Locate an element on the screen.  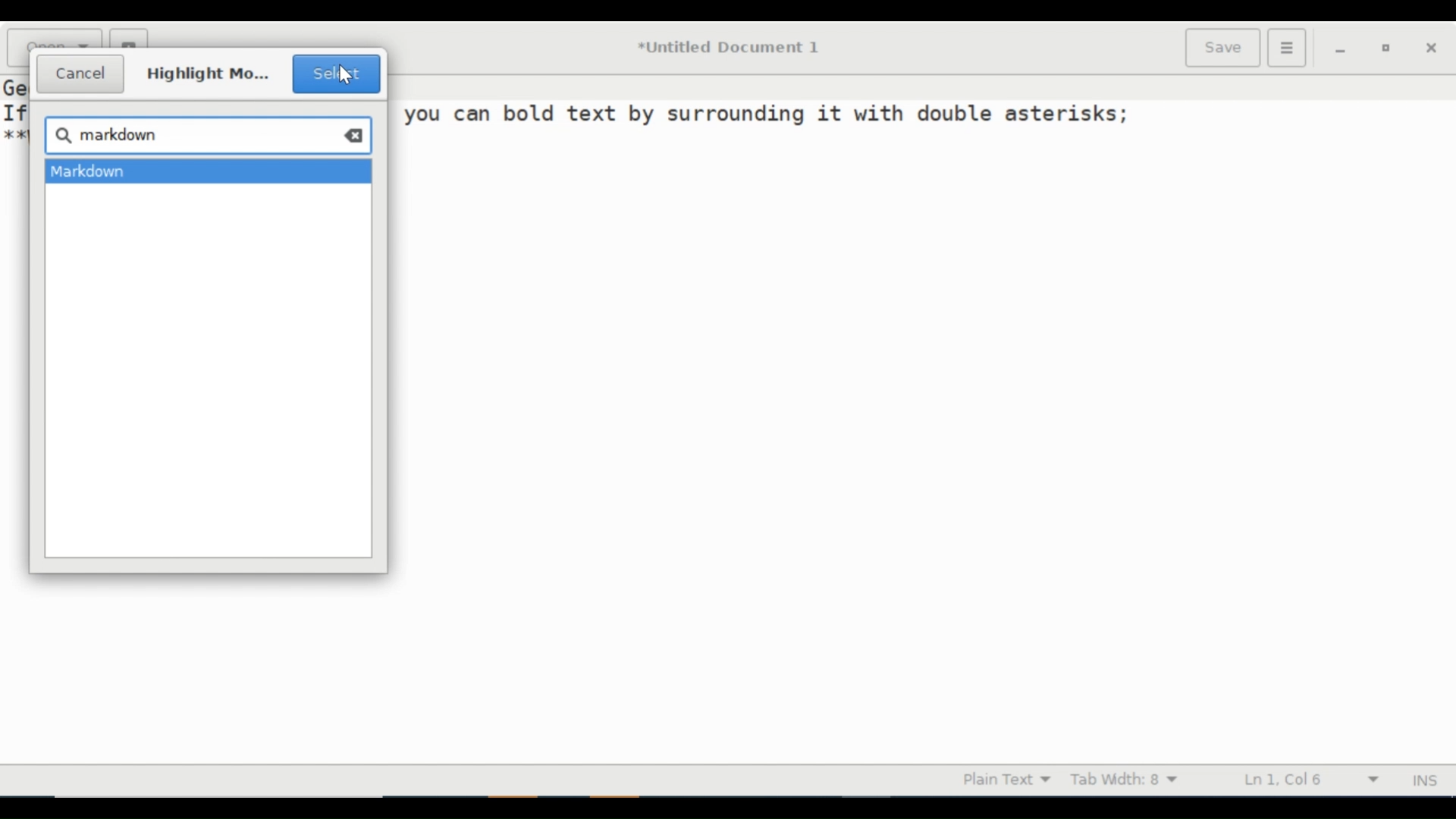
Tab Width is located at coordinates (1136, 780).